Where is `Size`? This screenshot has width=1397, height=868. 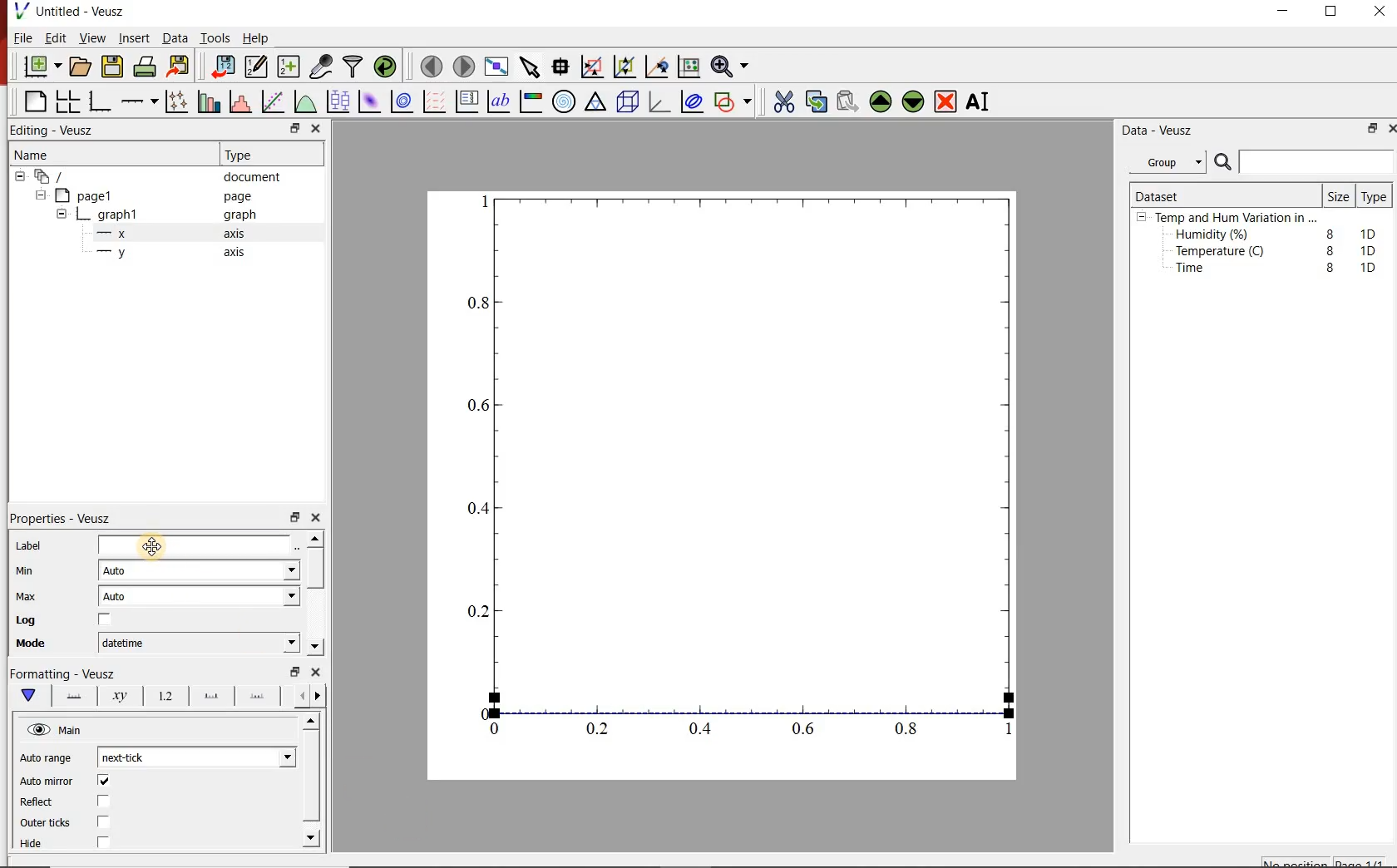
Size is located at coordinates (1337, 195).